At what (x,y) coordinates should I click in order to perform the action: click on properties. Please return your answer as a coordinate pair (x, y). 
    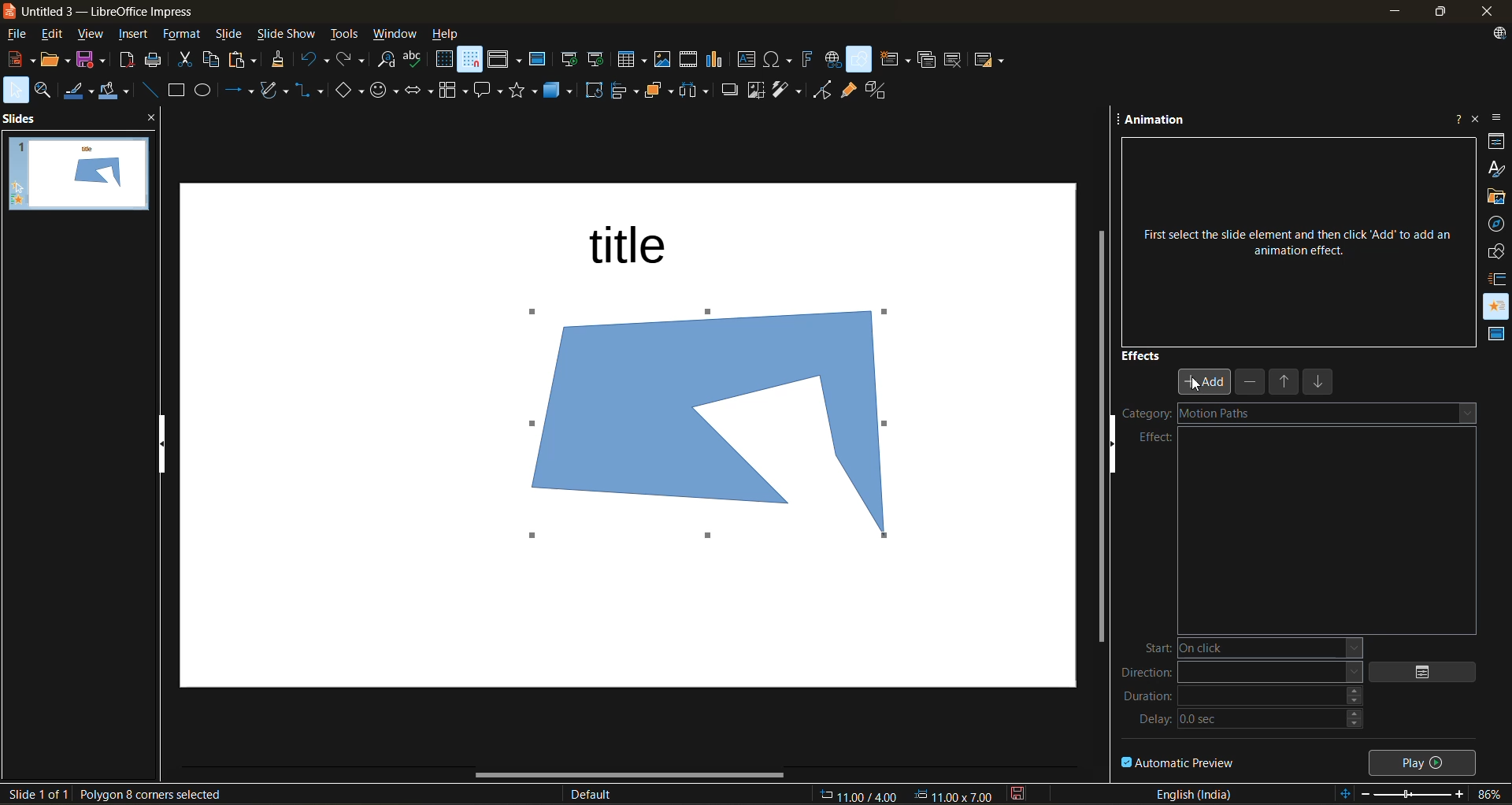
    Looking at the image, I should click on (1495, 140).